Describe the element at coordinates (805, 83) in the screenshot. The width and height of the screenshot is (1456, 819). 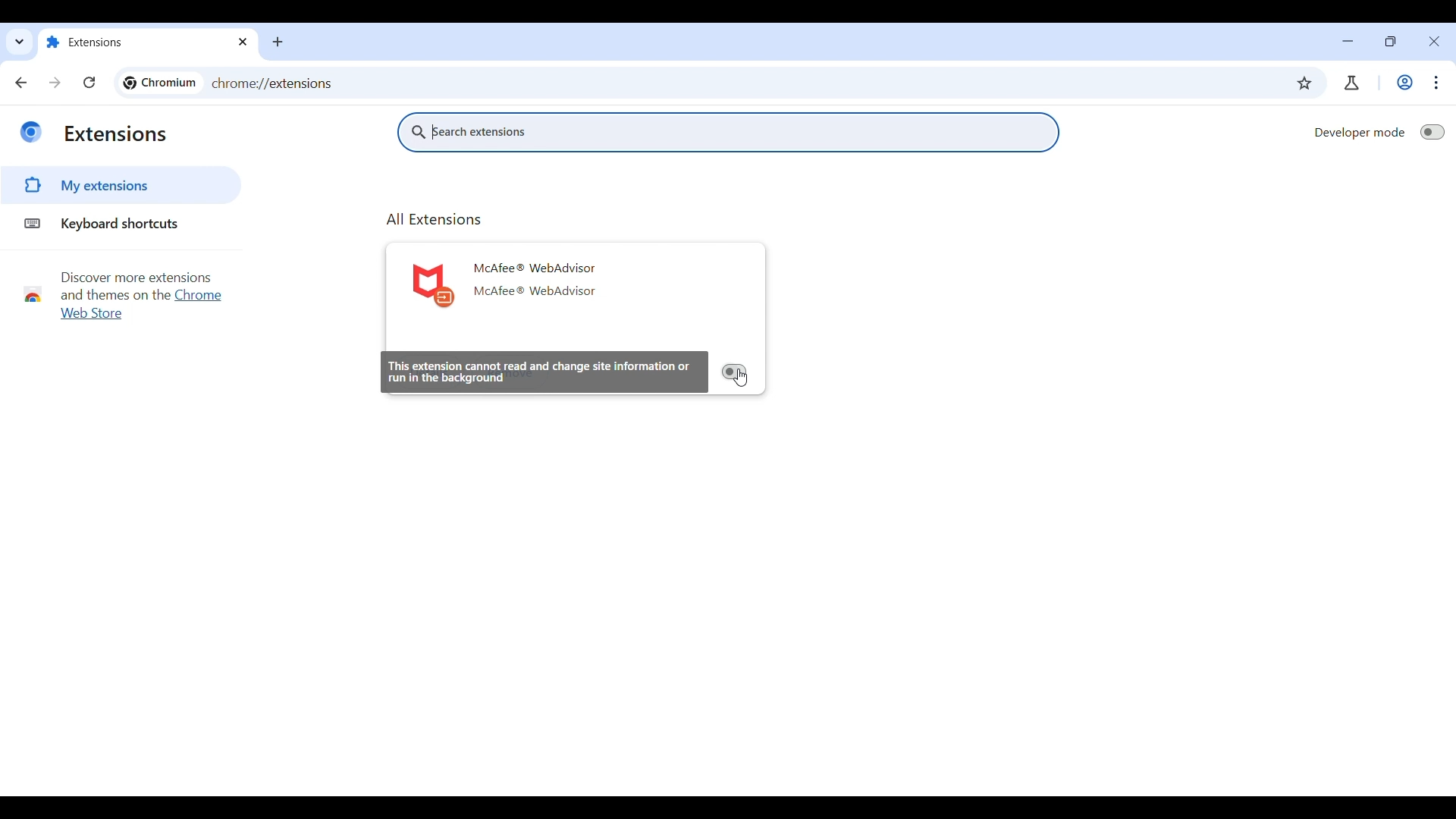
I see `Search Google or enter web link` at that location.